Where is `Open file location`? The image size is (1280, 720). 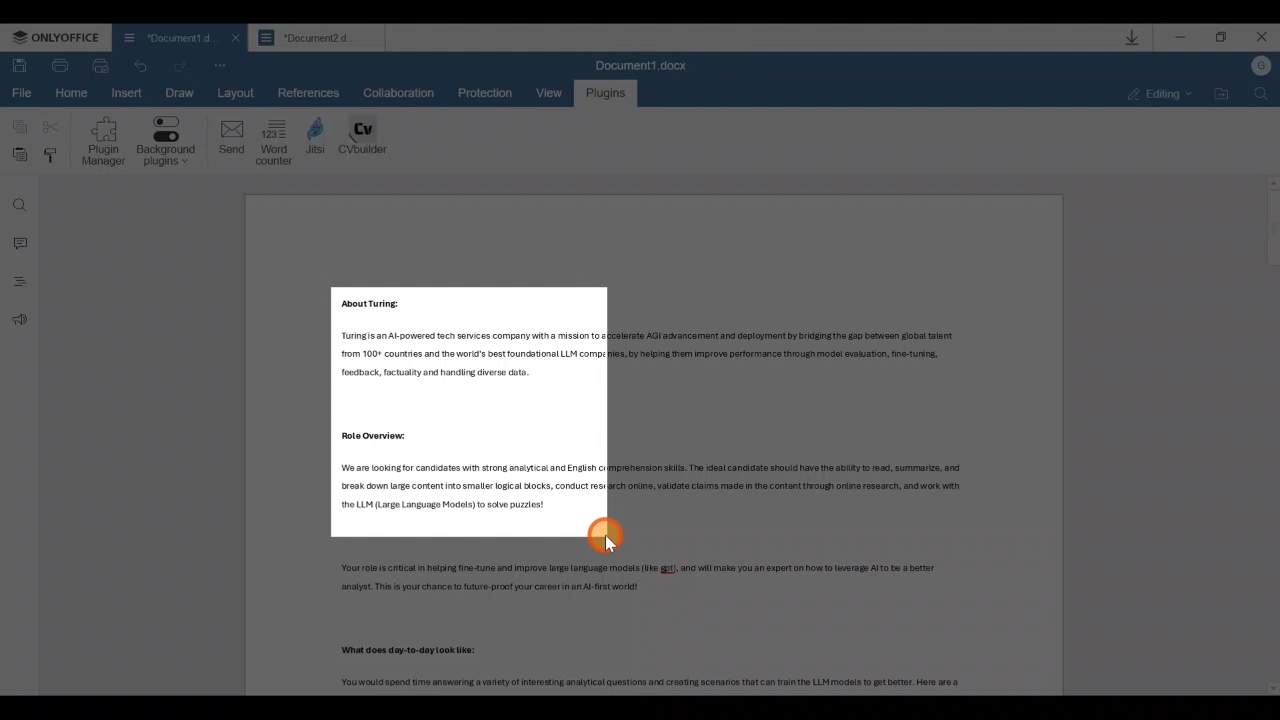 Open file location is located at coordinates (1218, 94).